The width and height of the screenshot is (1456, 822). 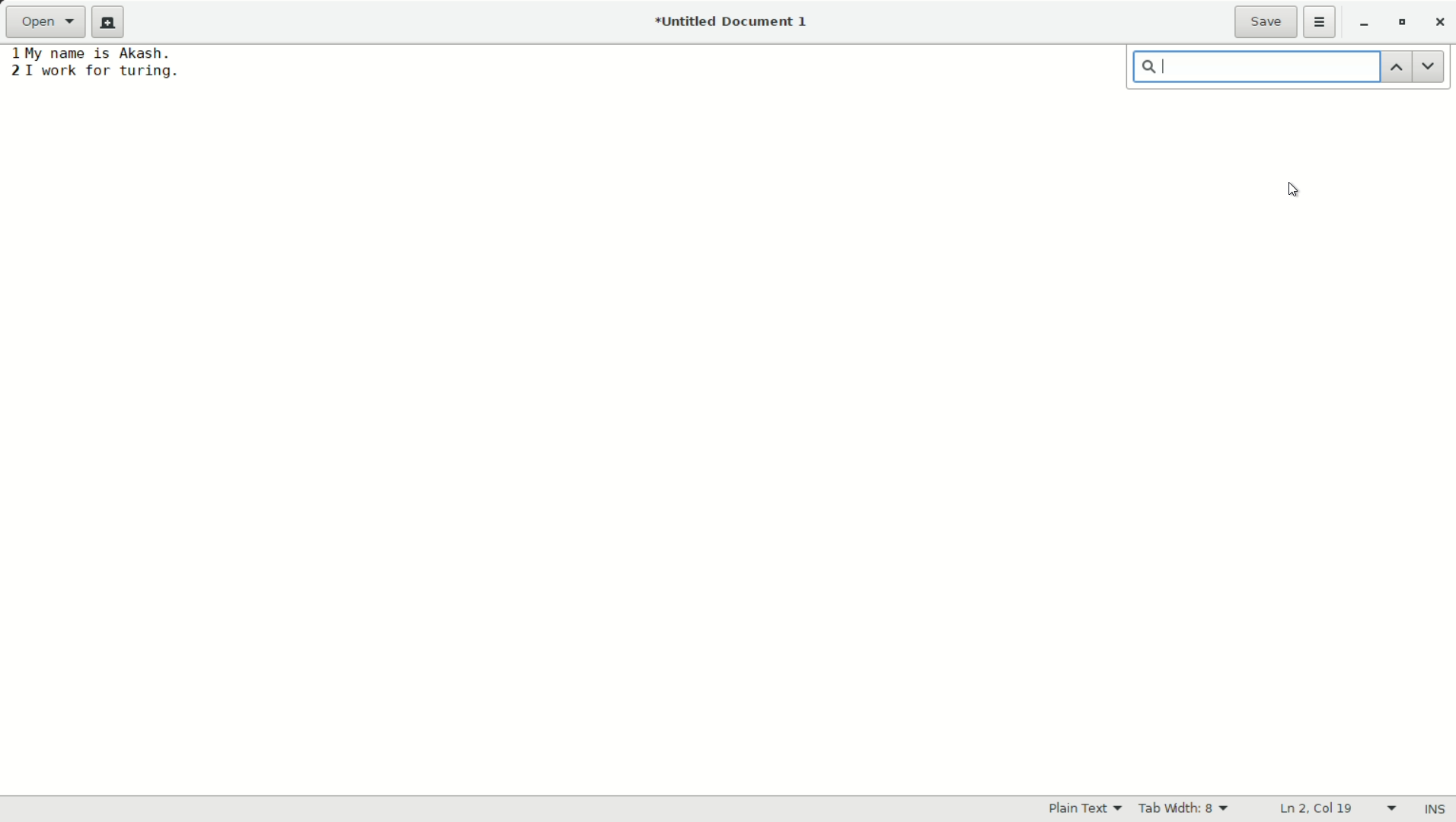 I want to click on 2 I work for turing., so click(x=94, y=71).